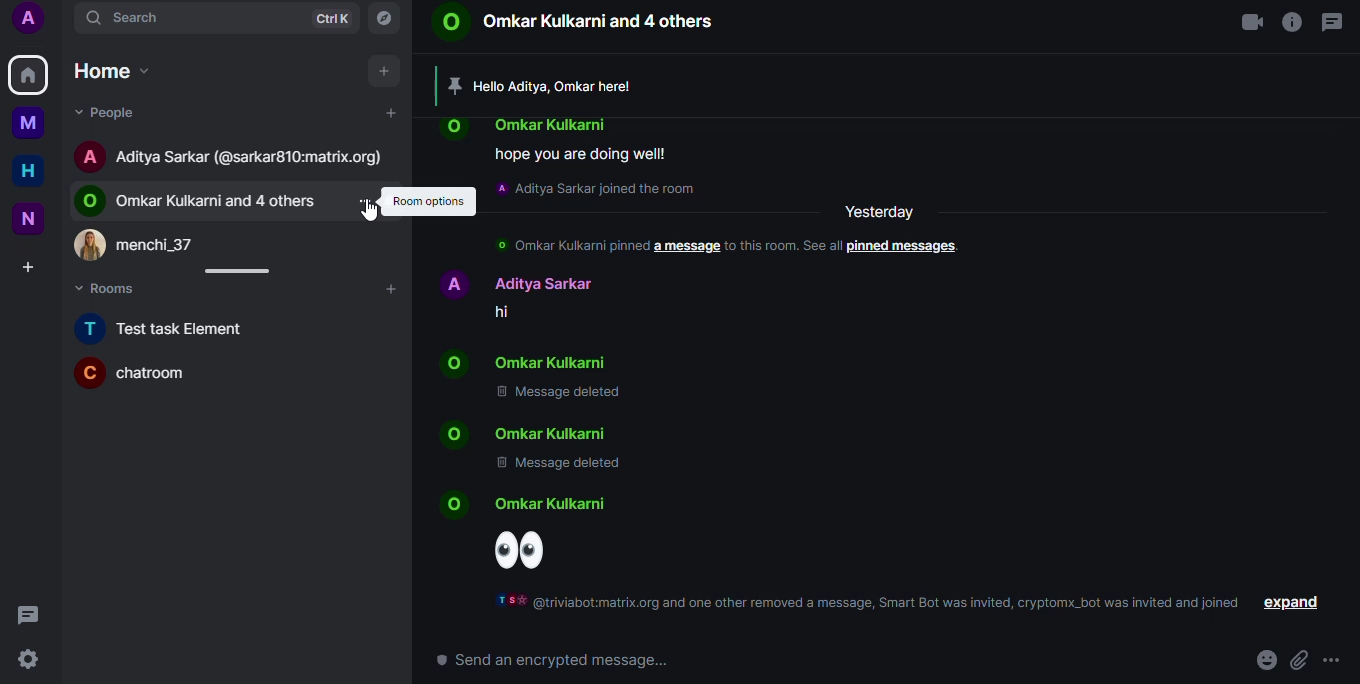 The height and width of the screenshot is (684, 1360). I want to click on home, so click(27, 172).